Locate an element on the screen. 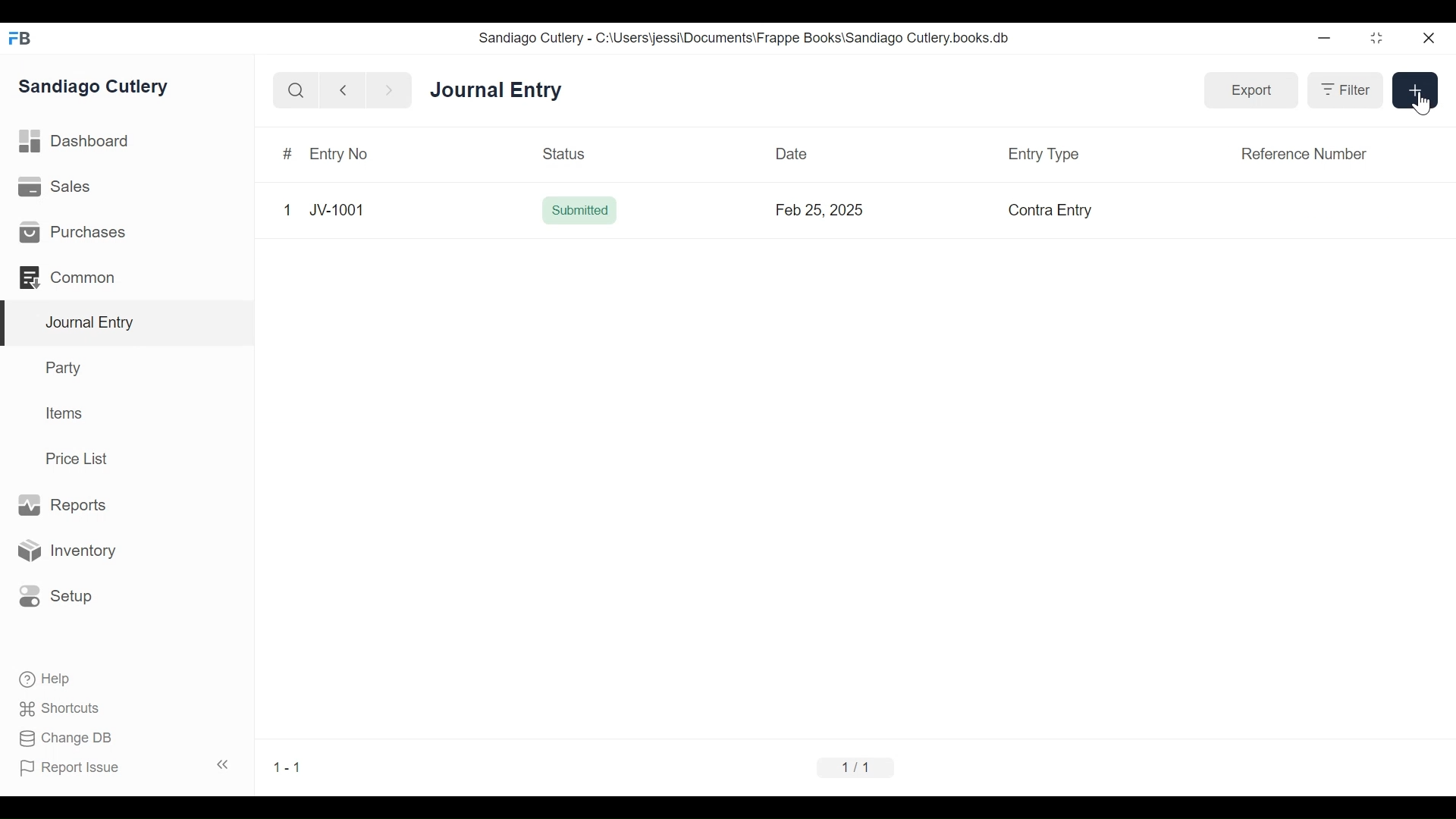  Reports is located at coordinates (61, 504).